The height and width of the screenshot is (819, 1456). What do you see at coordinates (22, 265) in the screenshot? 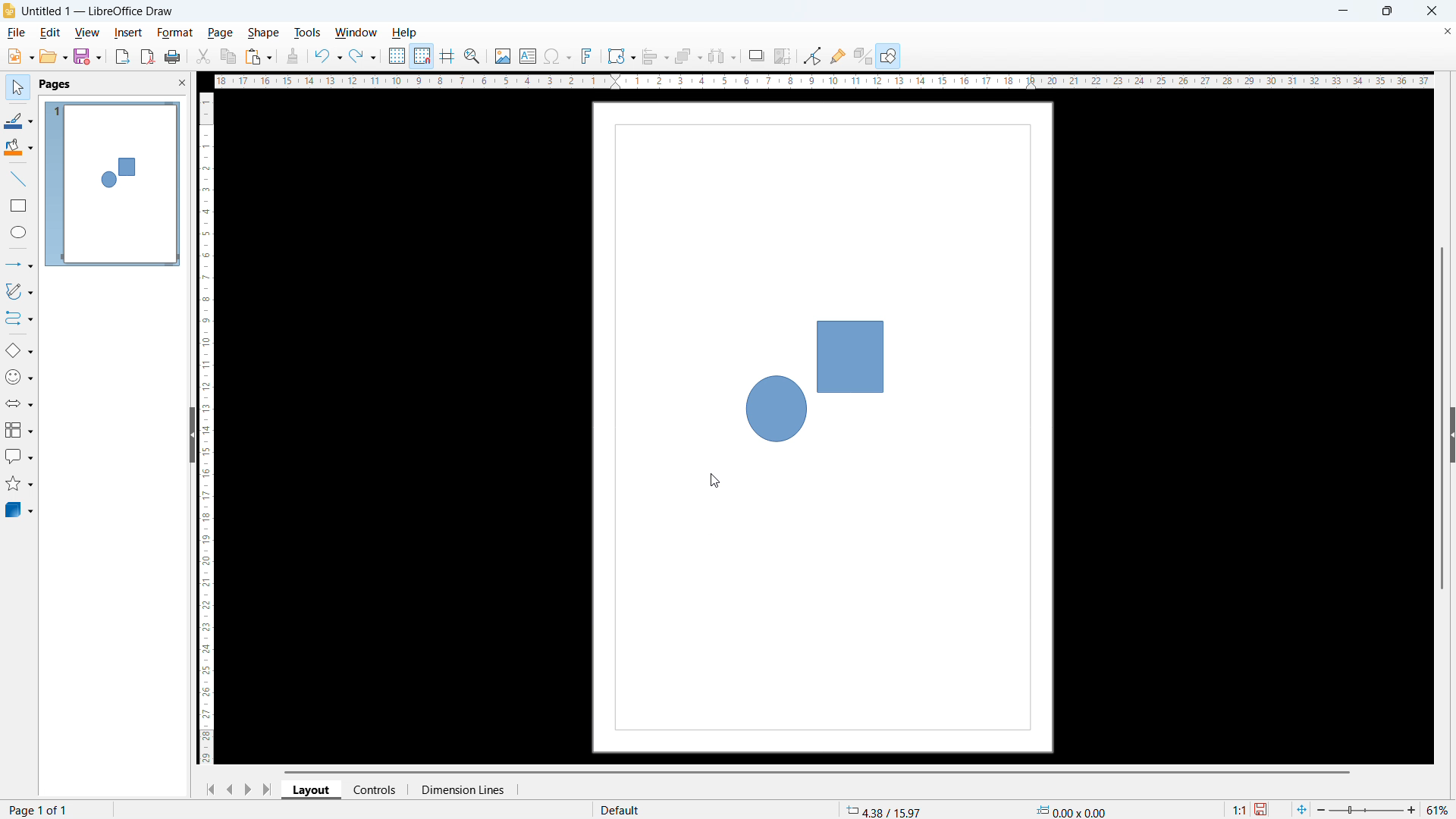
I see `lines & arrows` at bounding box center [22, 265].